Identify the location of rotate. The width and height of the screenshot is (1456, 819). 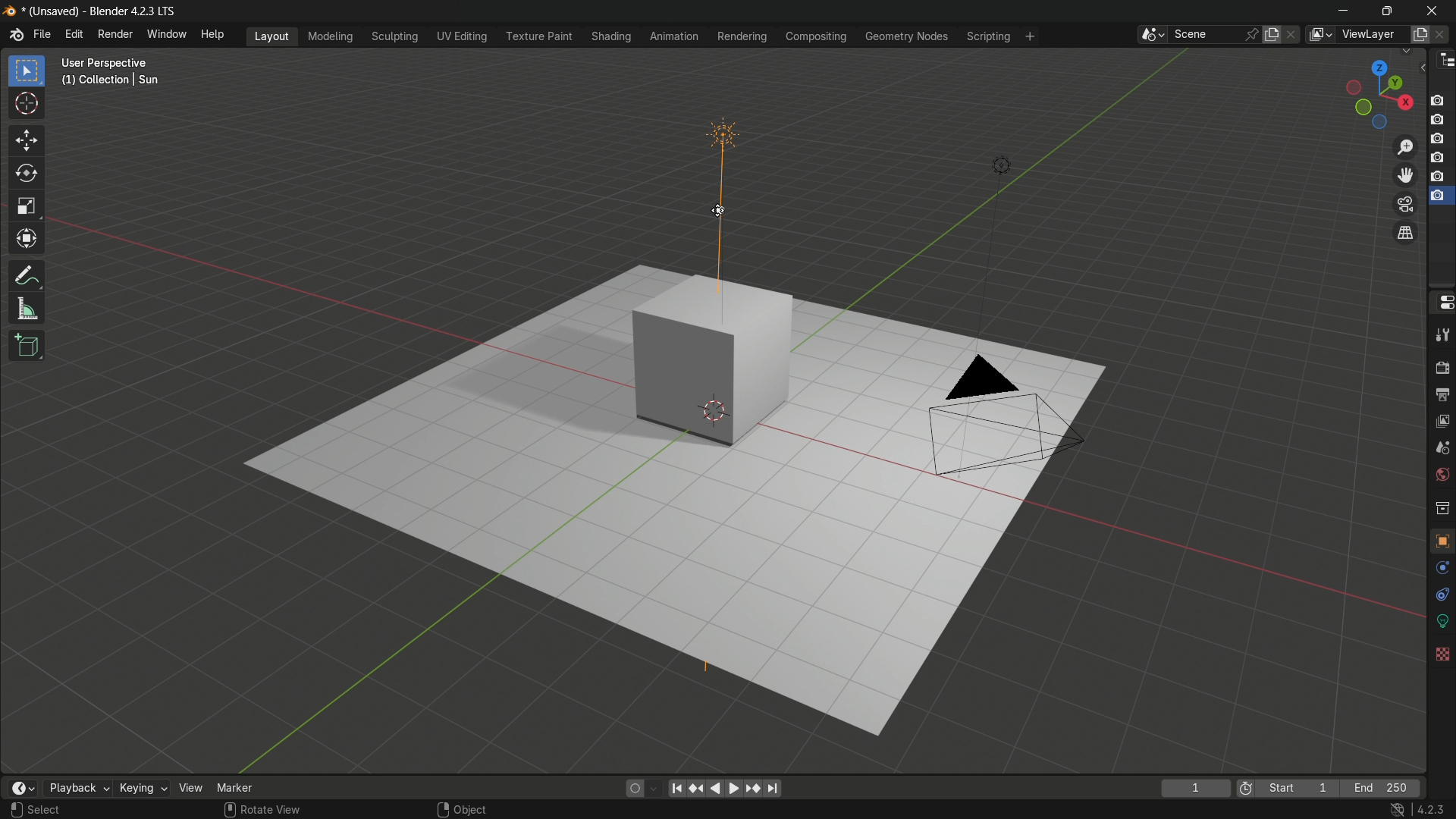
(28, 174).